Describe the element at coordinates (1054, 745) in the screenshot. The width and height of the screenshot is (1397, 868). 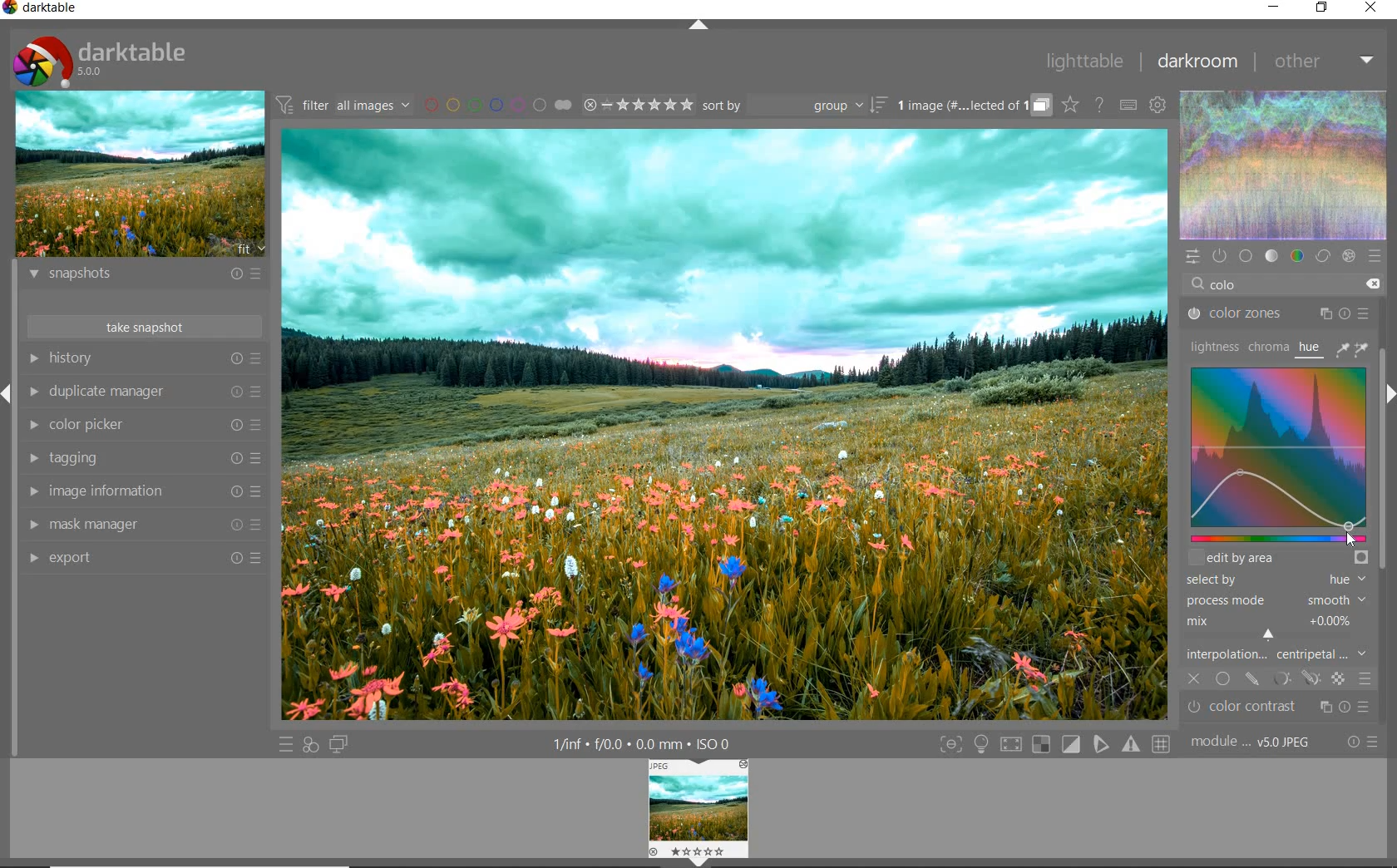
I see `Toggle modes` at that location.